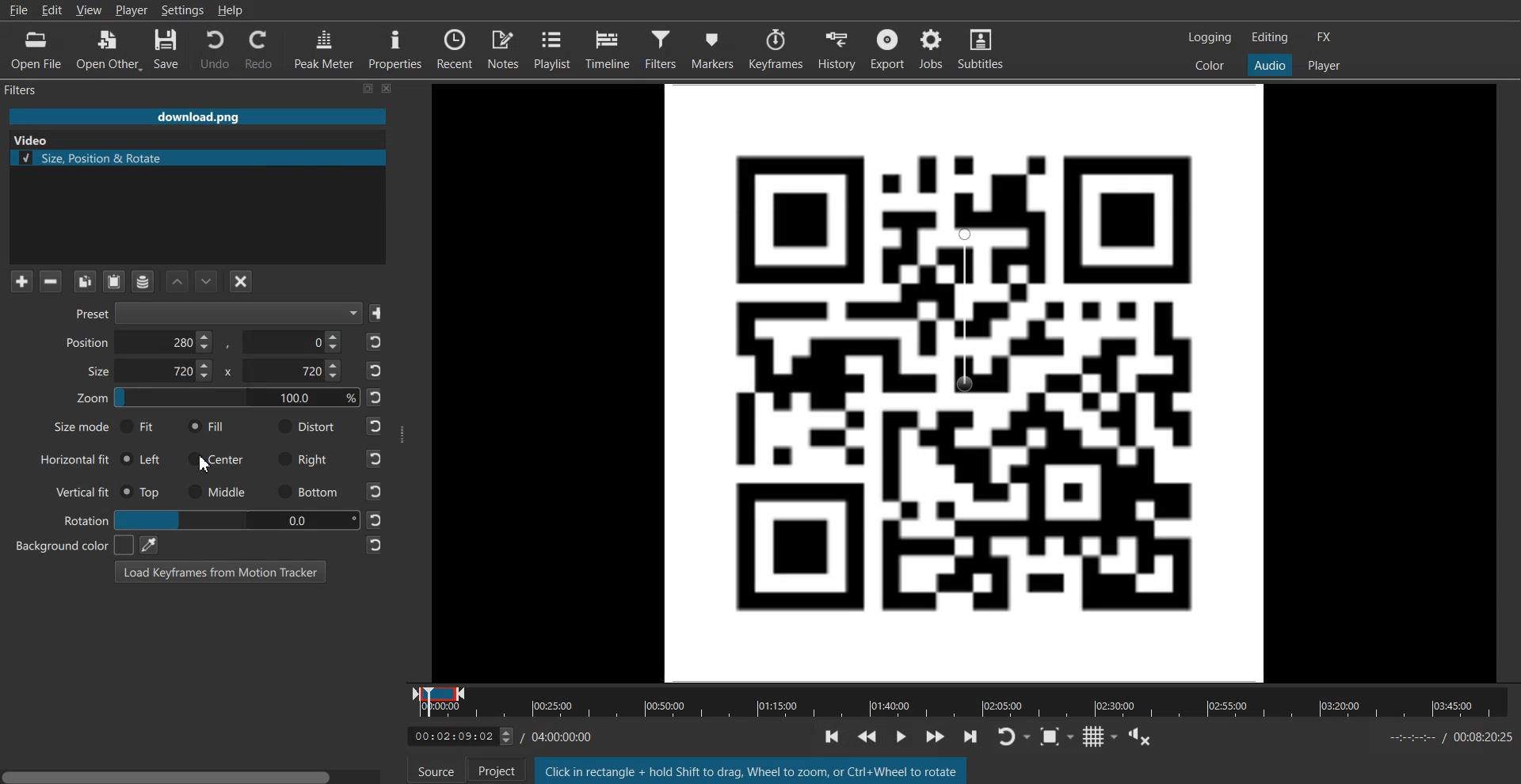 The width and height of the screenshot is (1521, 784). What do you see at coordinates (1210, 38) in the screenshot?
I see `Switch to the logging layout` at bounding box center [1210, 38].